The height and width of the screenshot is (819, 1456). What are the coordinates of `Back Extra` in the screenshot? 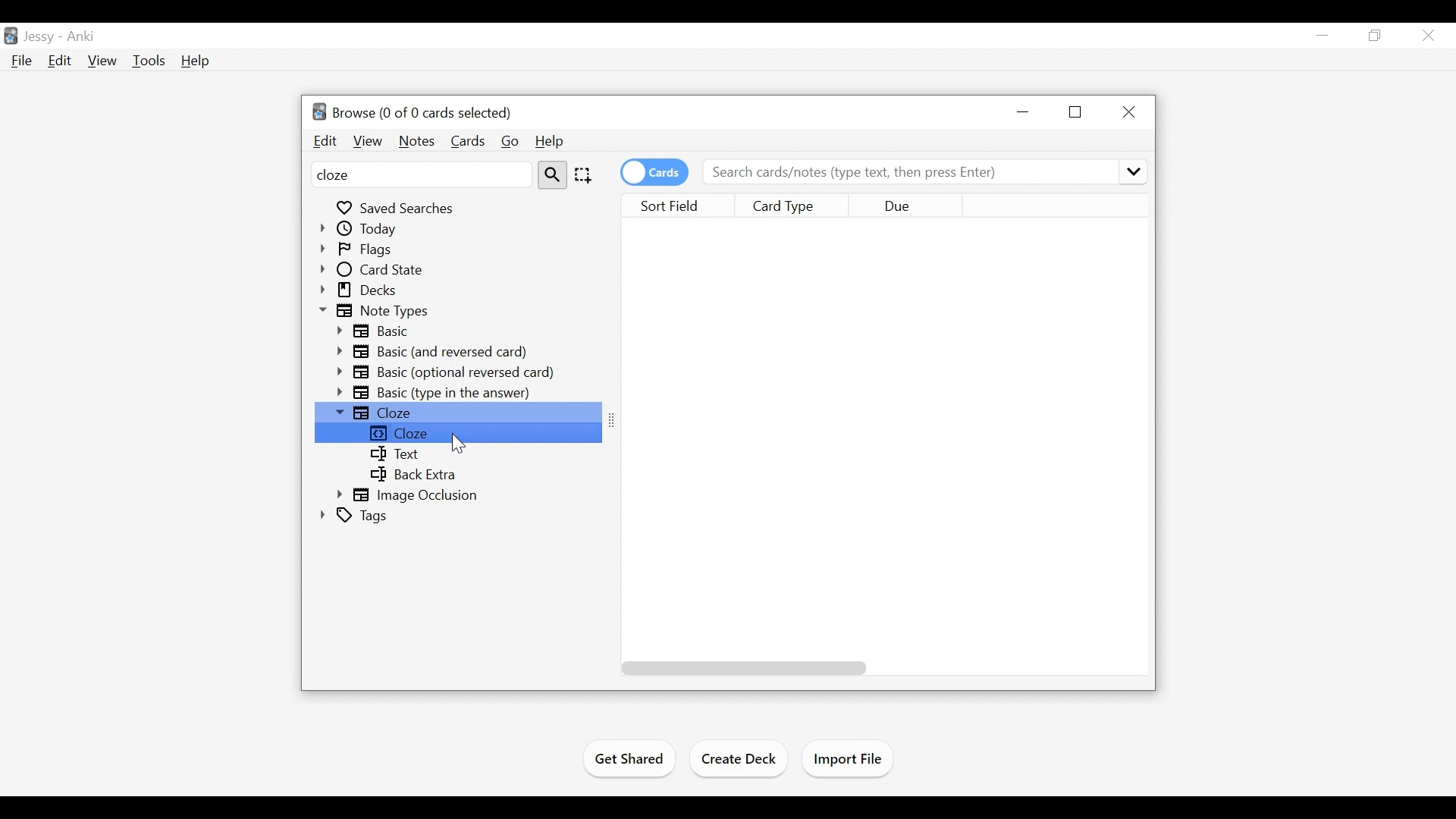 It's located at (411, 475).